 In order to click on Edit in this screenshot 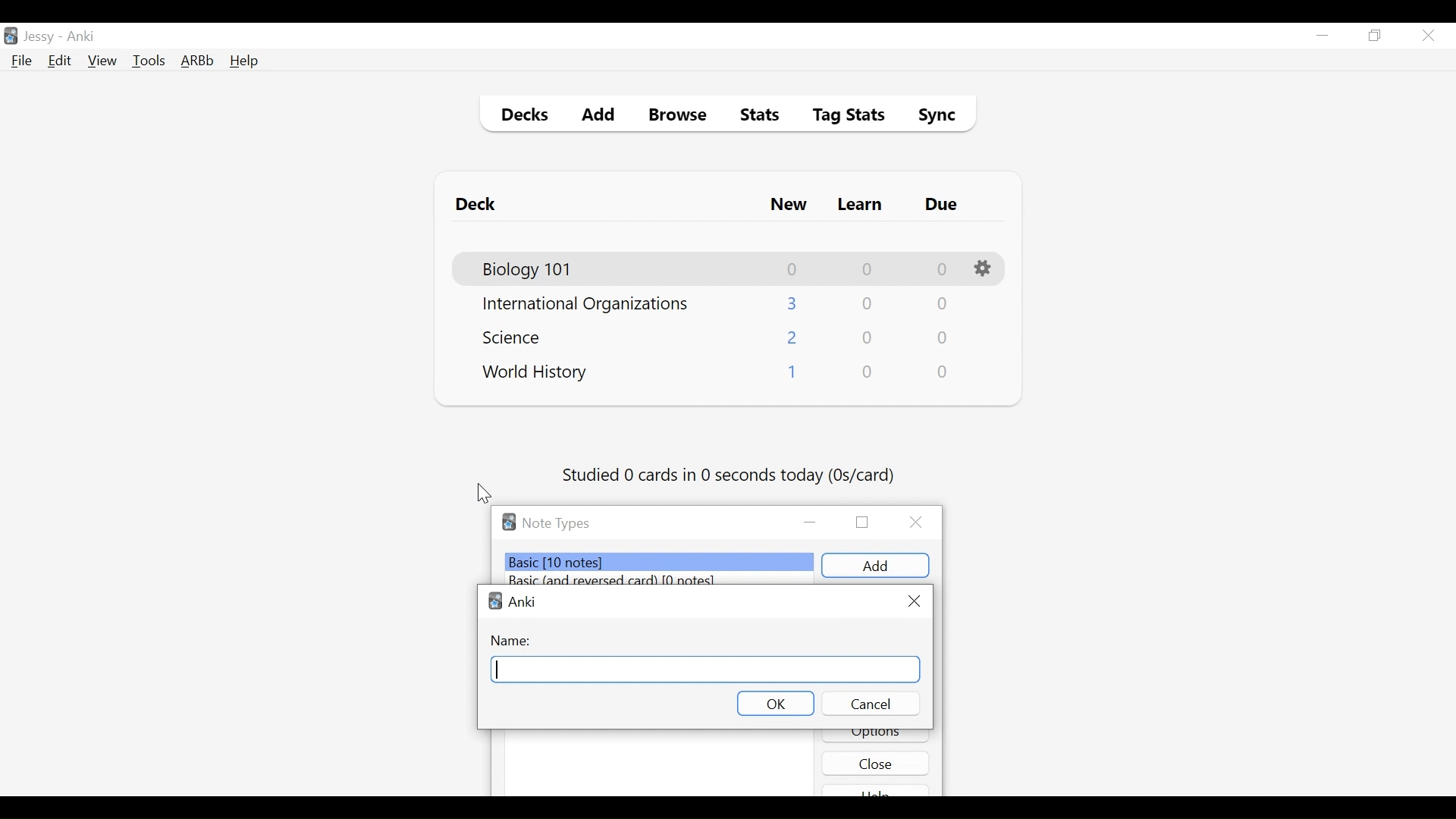, I will do `click(58, 62)`.